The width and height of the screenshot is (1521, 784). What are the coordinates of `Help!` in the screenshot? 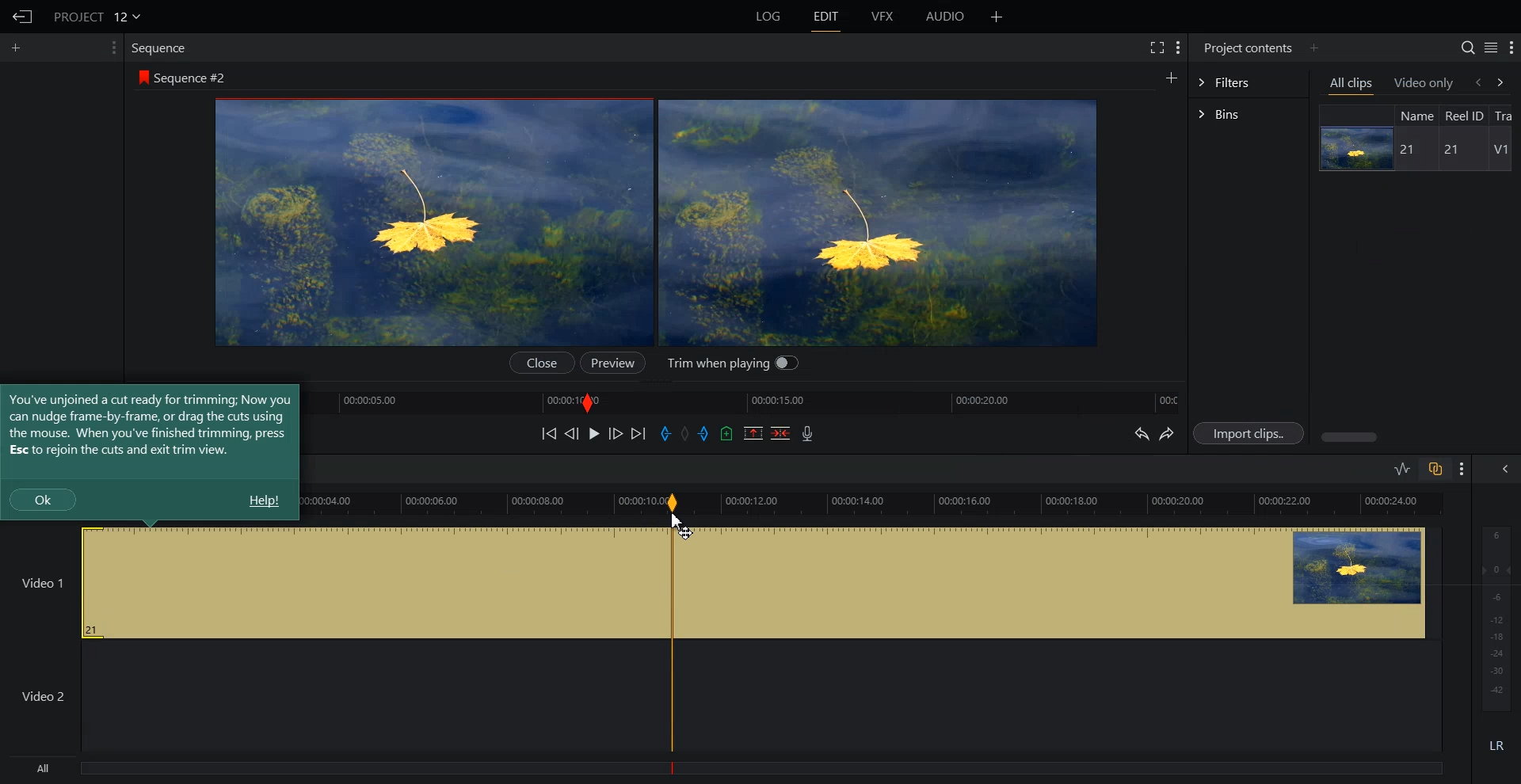 It's located at (263, 500).